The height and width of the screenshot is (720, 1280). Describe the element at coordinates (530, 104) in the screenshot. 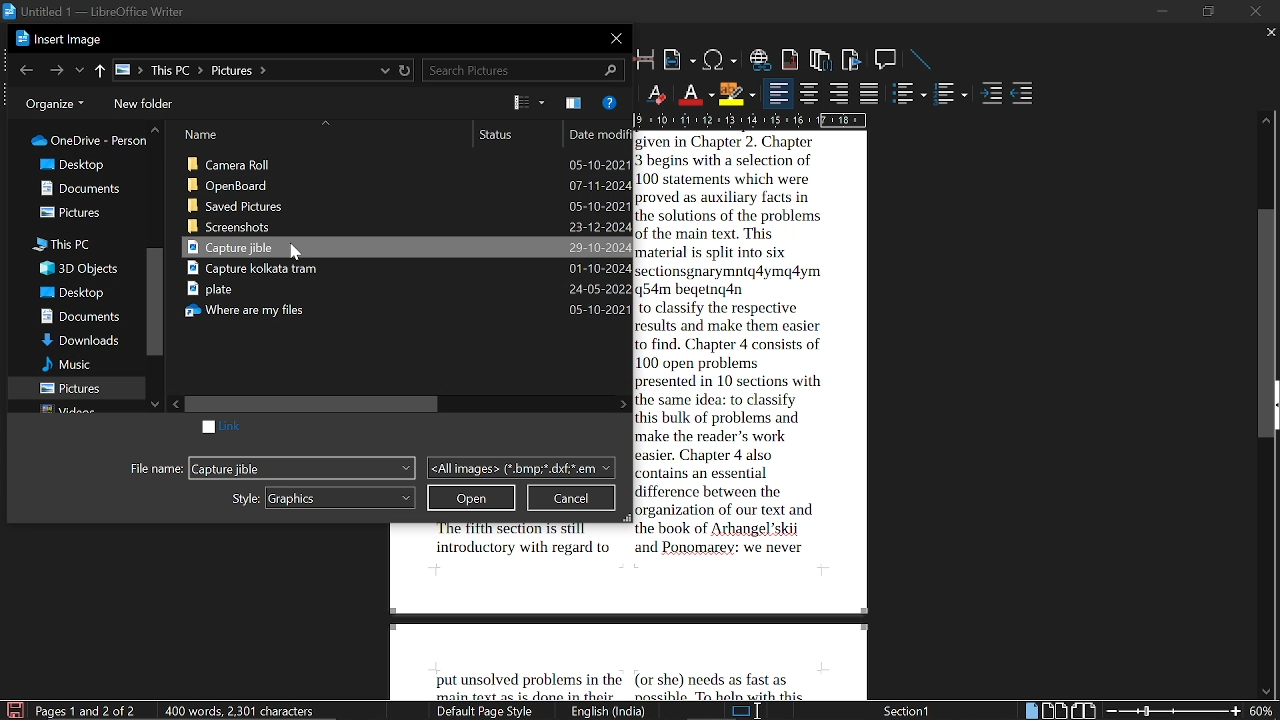

I see `view` at that location.